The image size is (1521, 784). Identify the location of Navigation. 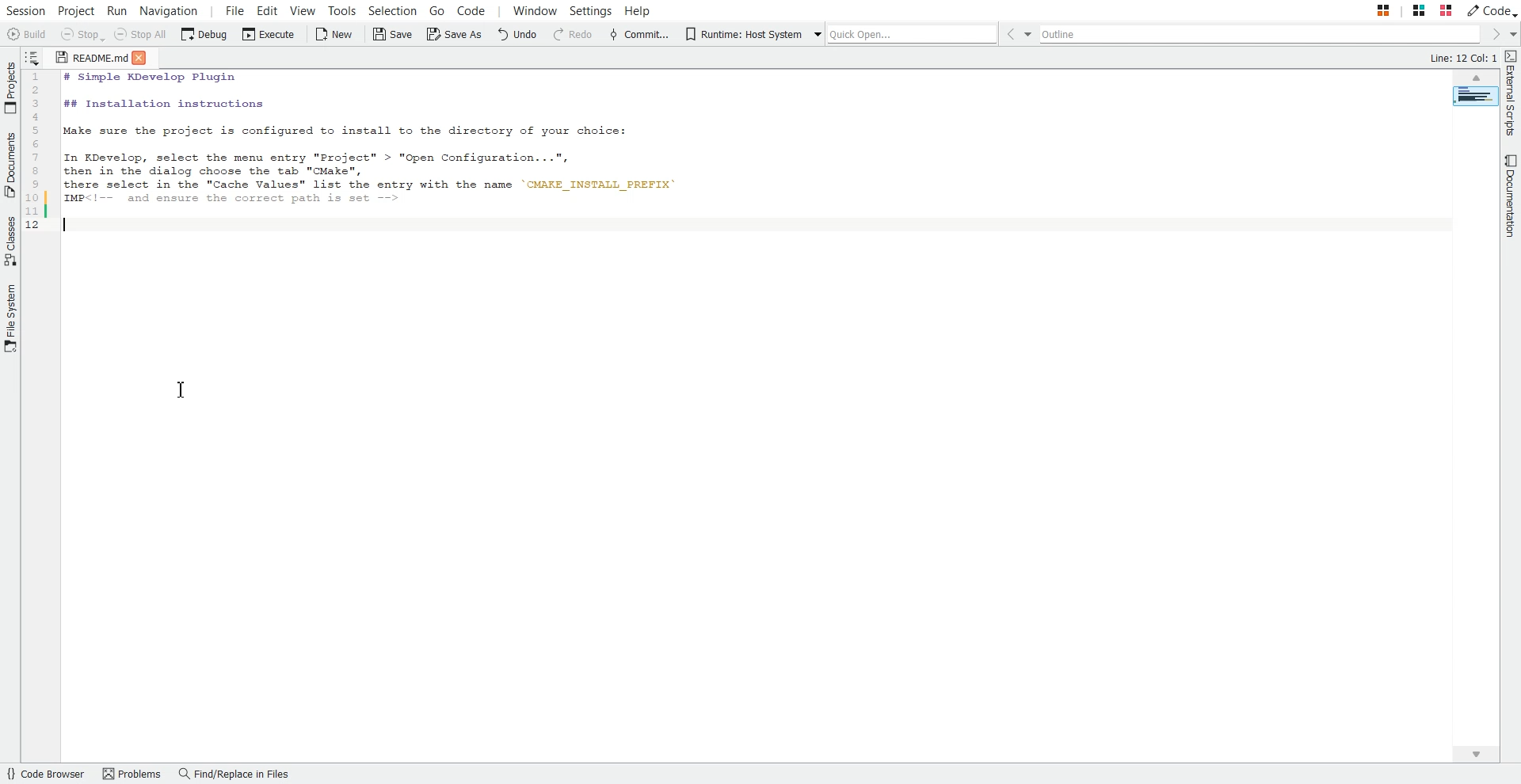
(169, 10).